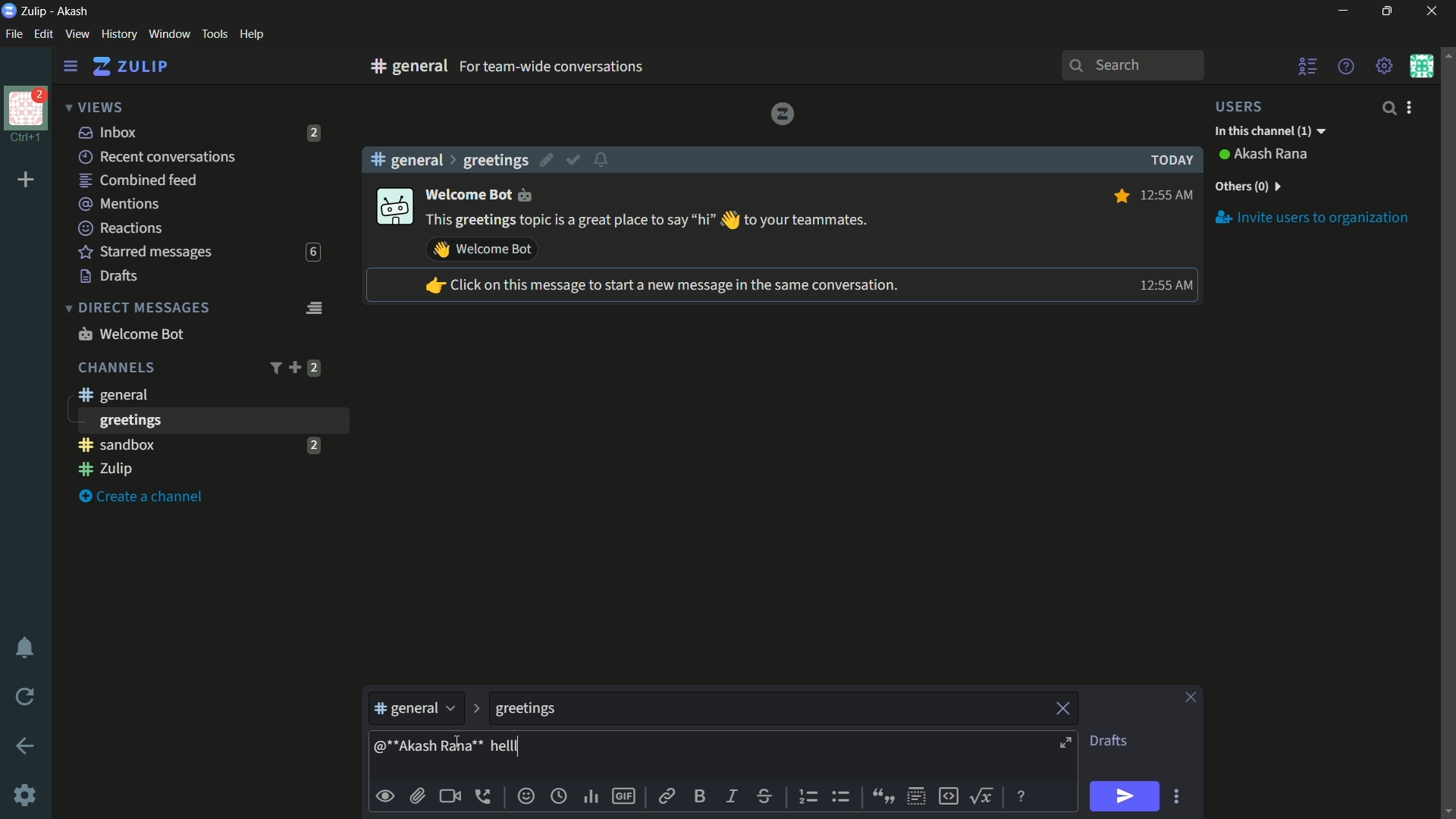 This screenshot has width=1456, height=819. What do you see at coordinates (1191, 698) in the screenshot?
I see `close pane` at bounding box center [1191, 698].